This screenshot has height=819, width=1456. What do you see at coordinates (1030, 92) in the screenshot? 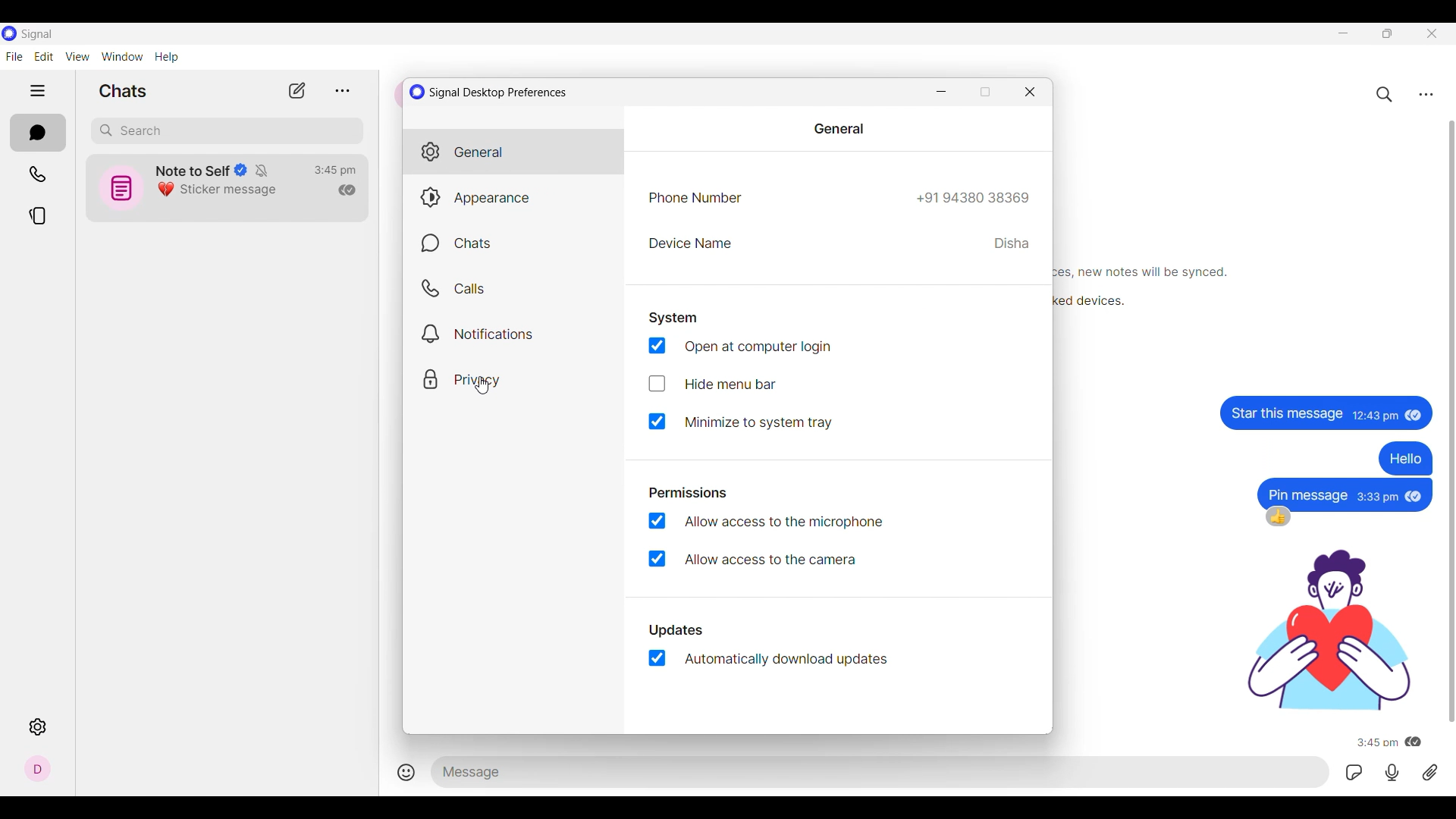
I see `Close window` at bounding box center [1030, 92].